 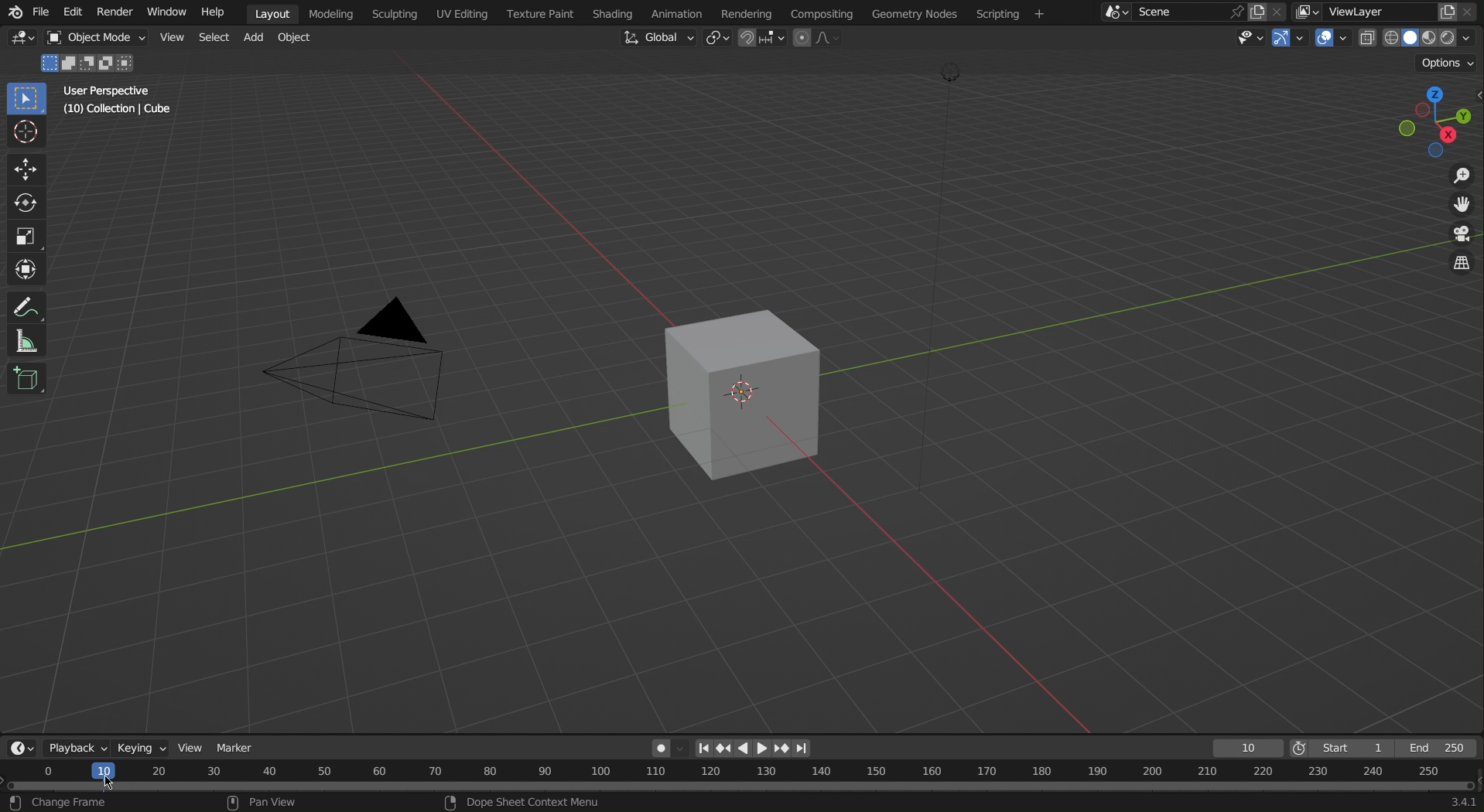 What do you see at coordinates (28, 97) in the screenshot?
I see `Select Box` at bounding box center [28, 97].